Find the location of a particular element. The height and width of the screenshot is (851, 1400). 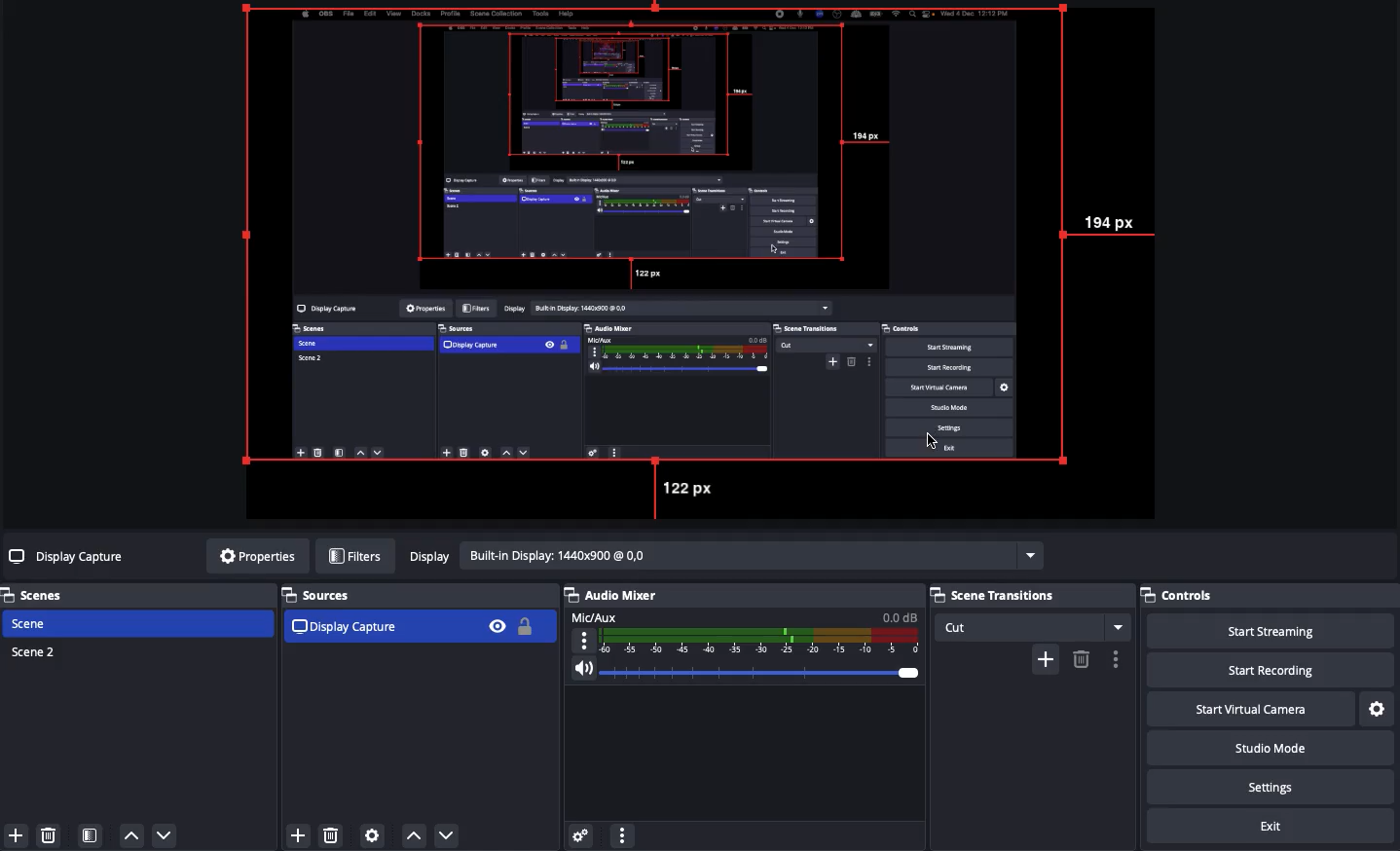

Settings is located at coordinates (1282, 787).